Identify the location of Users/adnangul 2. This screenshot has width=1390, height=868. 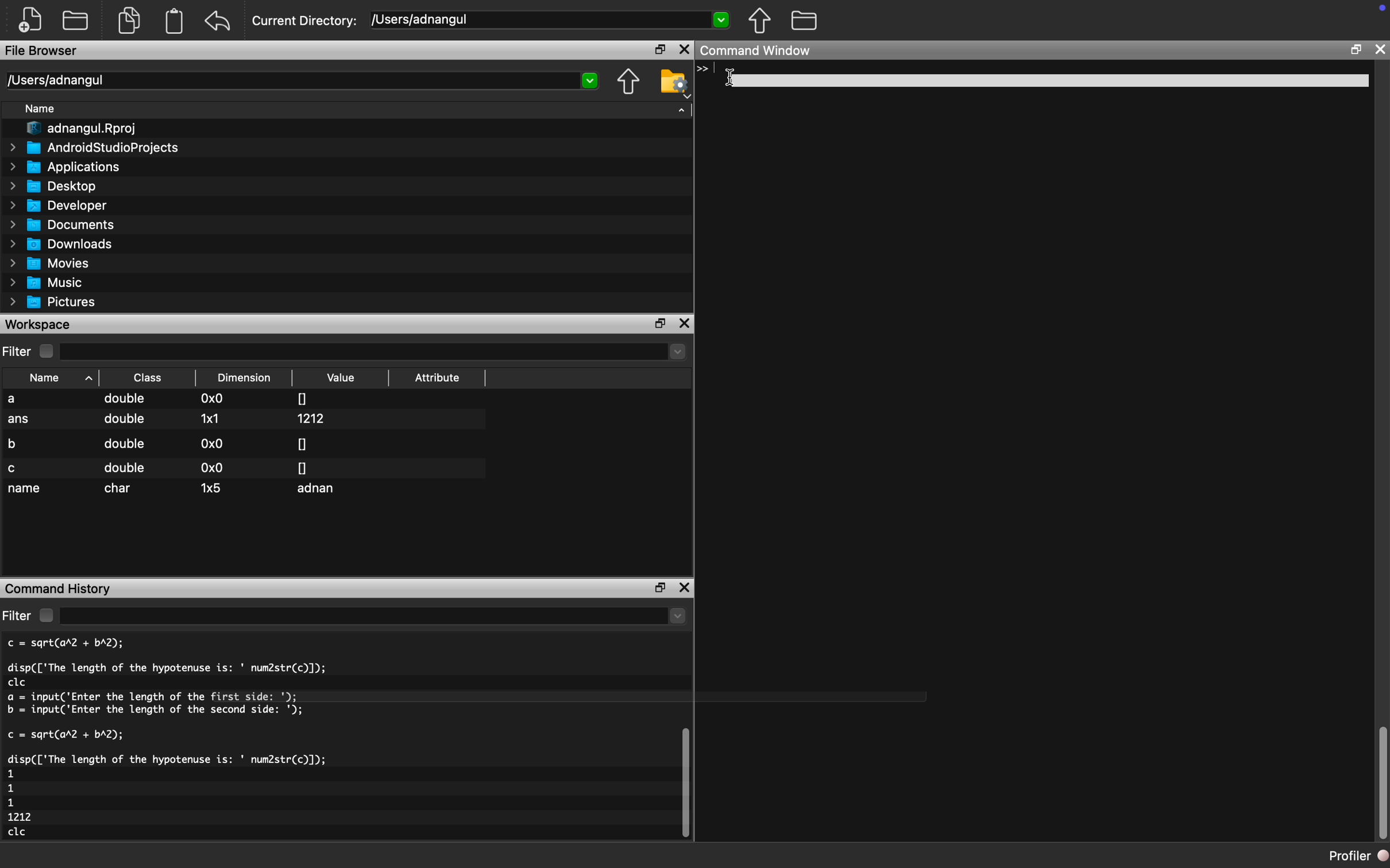
(301, 81).